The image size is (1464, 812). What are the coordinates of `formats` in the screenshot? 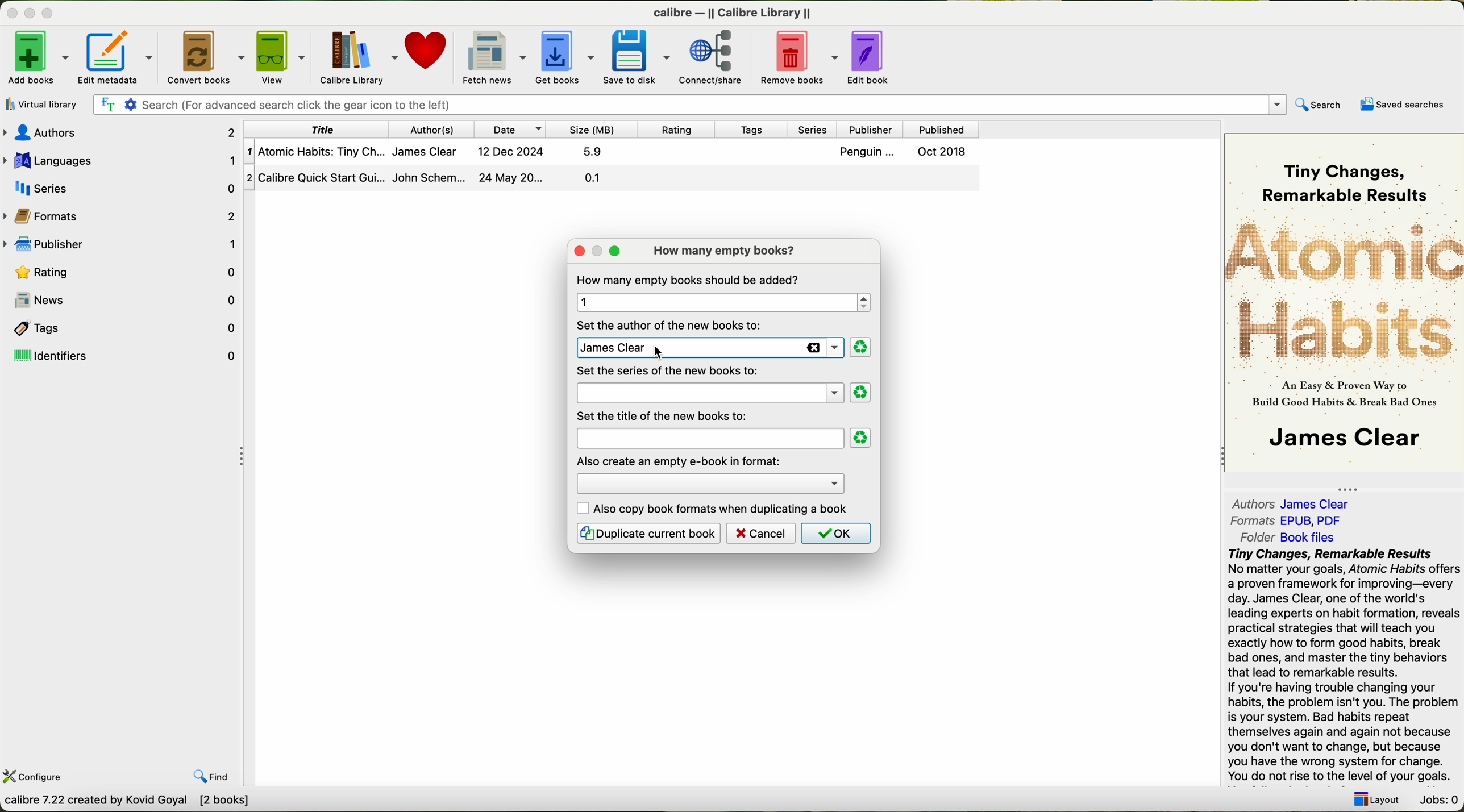 It's located at (1287, 520).